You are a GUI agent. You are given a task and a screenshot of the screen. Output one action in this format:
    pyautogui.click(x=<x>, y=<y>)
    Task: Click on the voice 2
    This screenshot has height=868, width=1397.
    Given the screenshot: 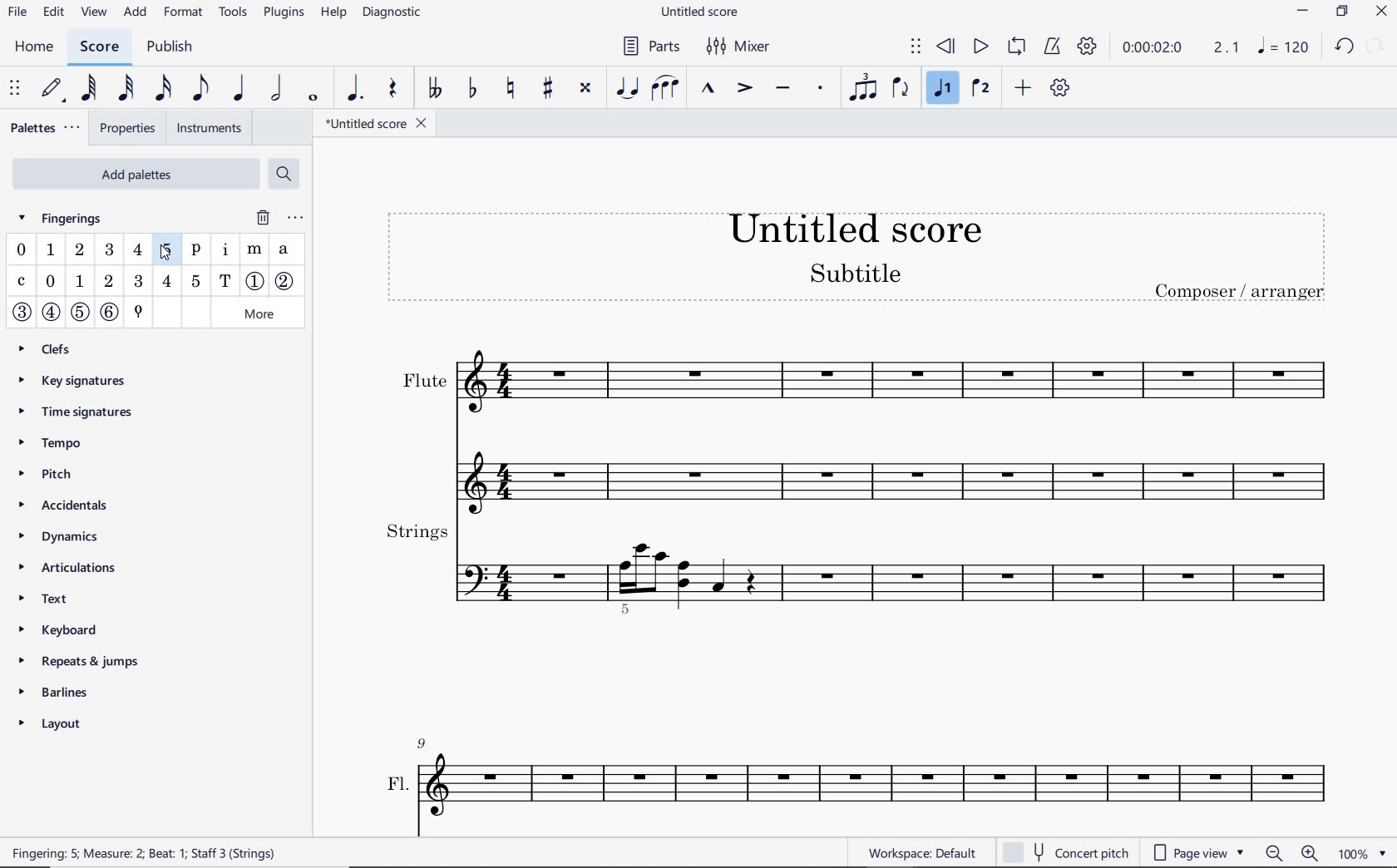 What is the action you would take?
    pyautogui.click(x=980, y=88)
    